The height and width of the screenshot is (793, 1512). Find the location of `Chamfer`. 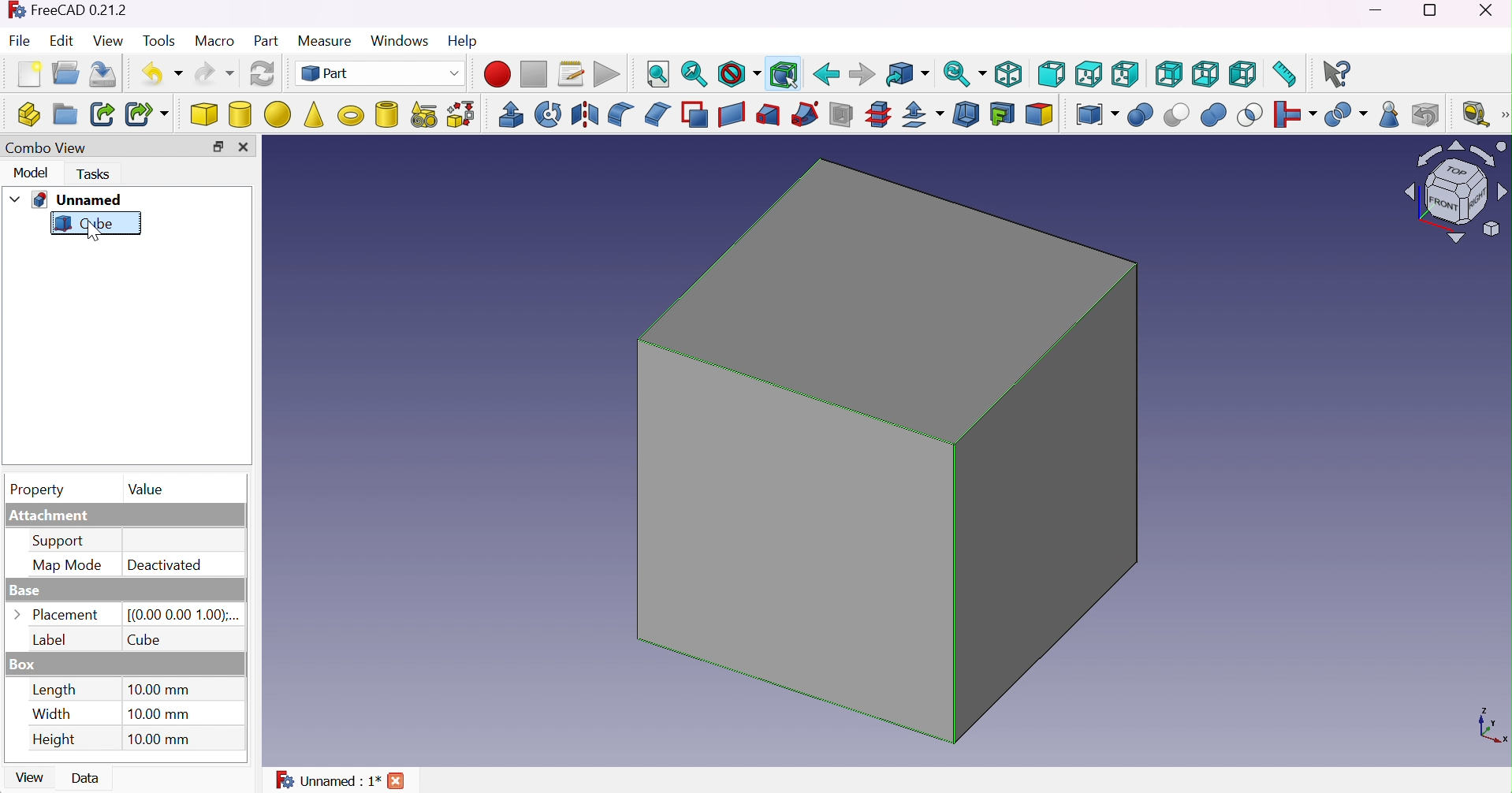

Chamfer is located at coordinates (657, 114).